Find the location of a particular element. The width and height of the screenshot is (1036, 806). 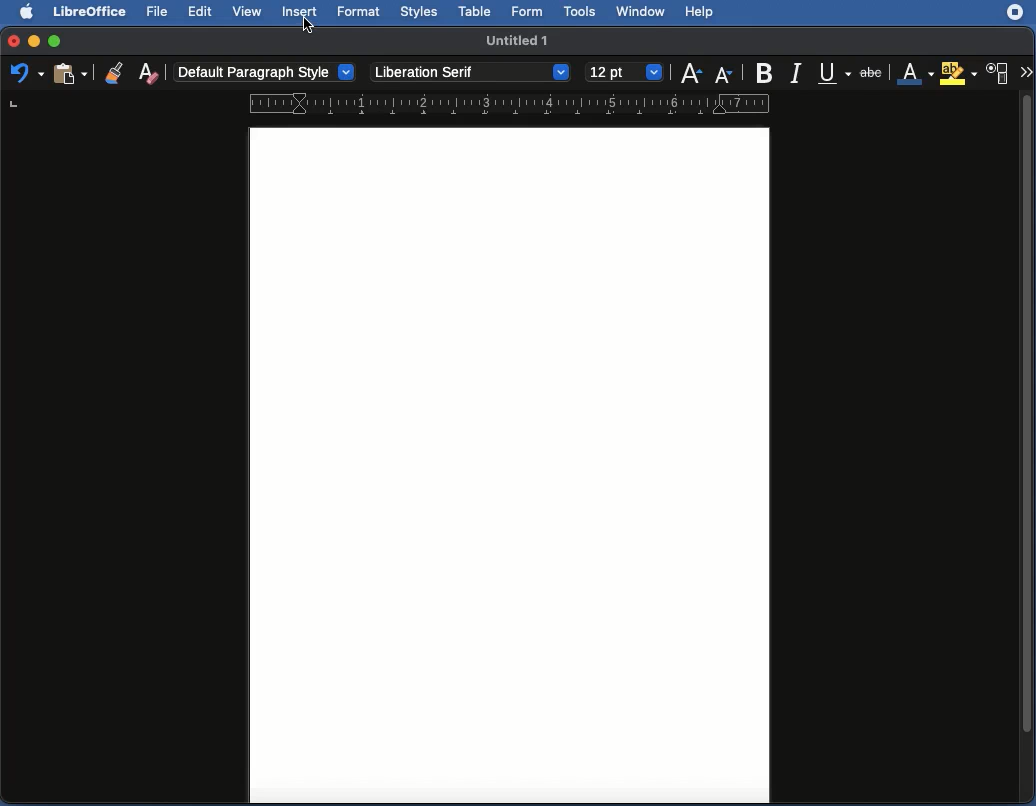

Window is located at coordinates (642, 12).